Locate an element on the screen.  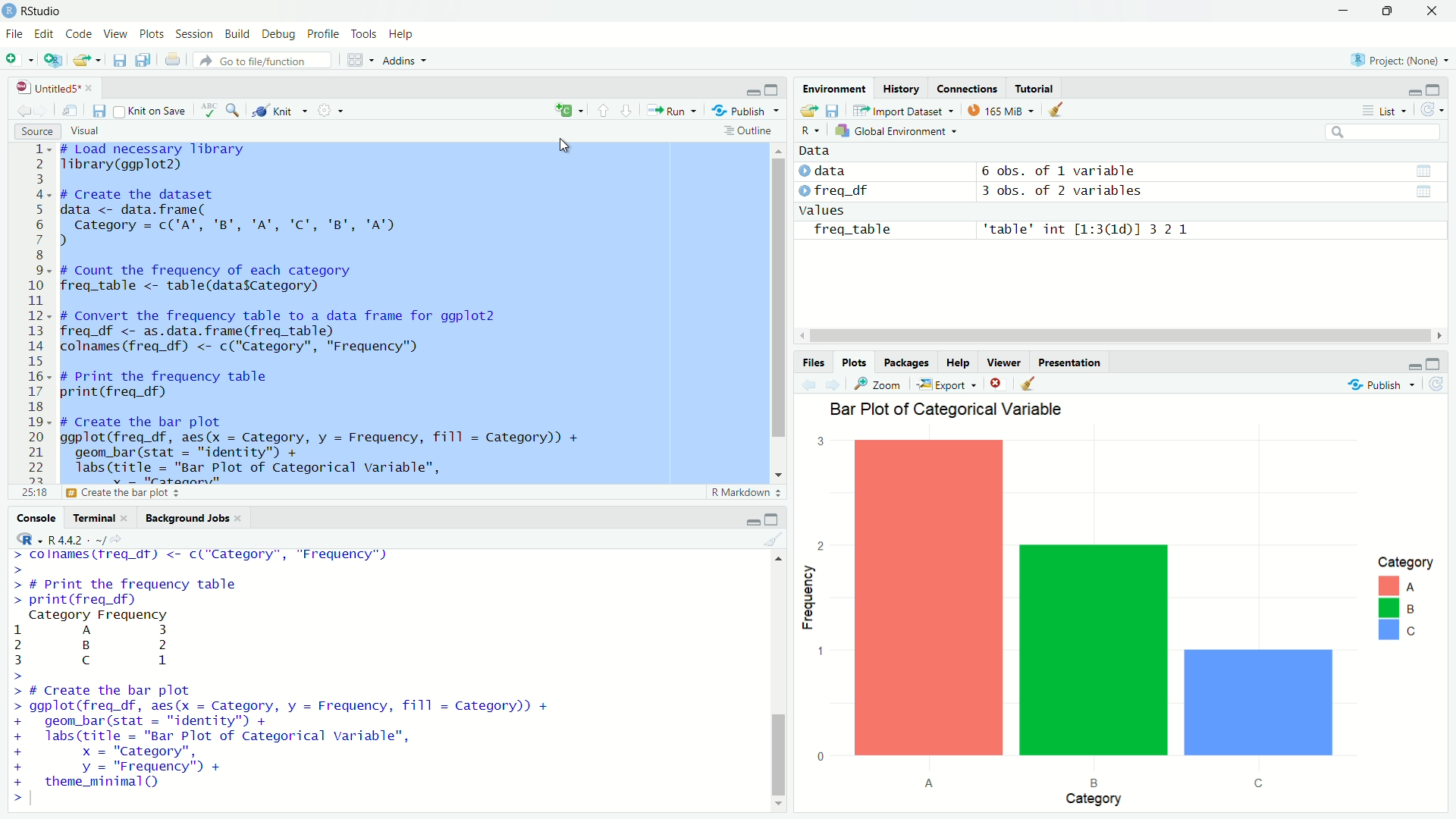
vertical scrollbar is located at coordinates (780, 297).